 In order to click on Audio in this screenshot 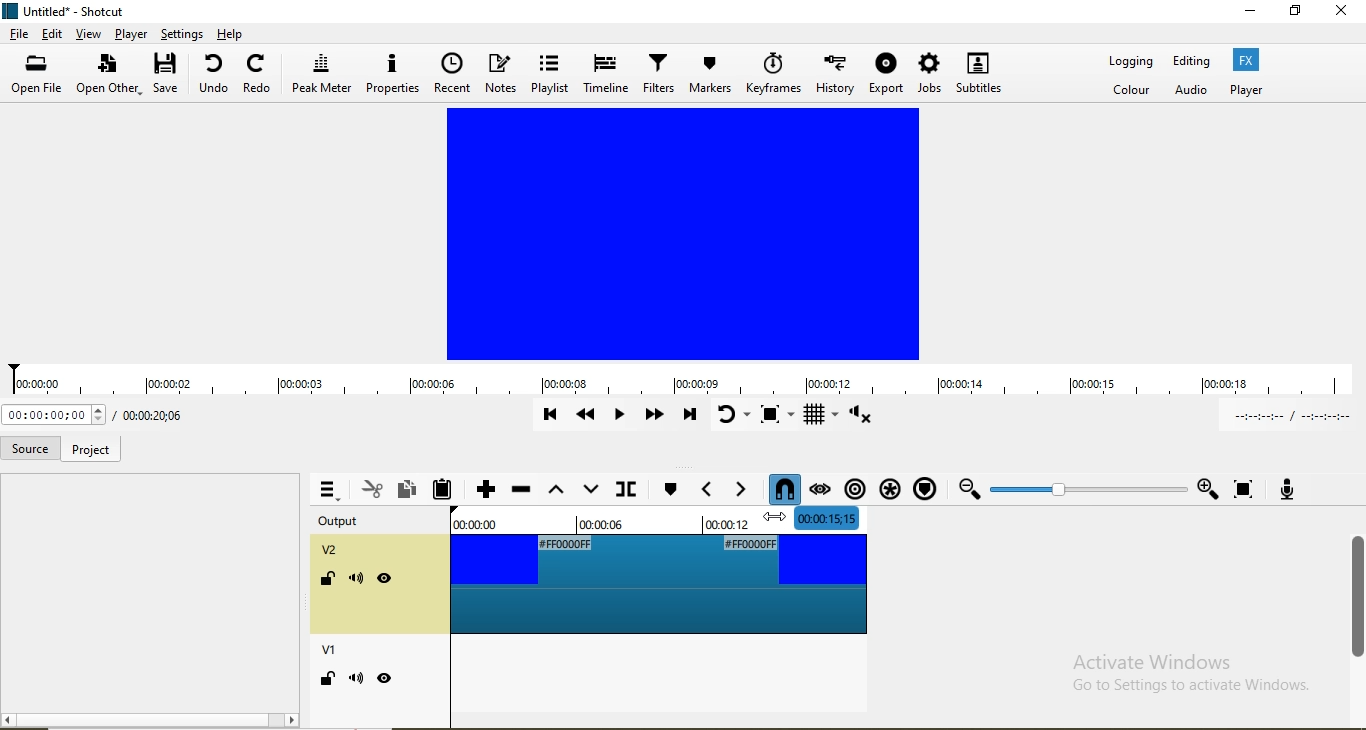, I will do `click(1193, 91)`.